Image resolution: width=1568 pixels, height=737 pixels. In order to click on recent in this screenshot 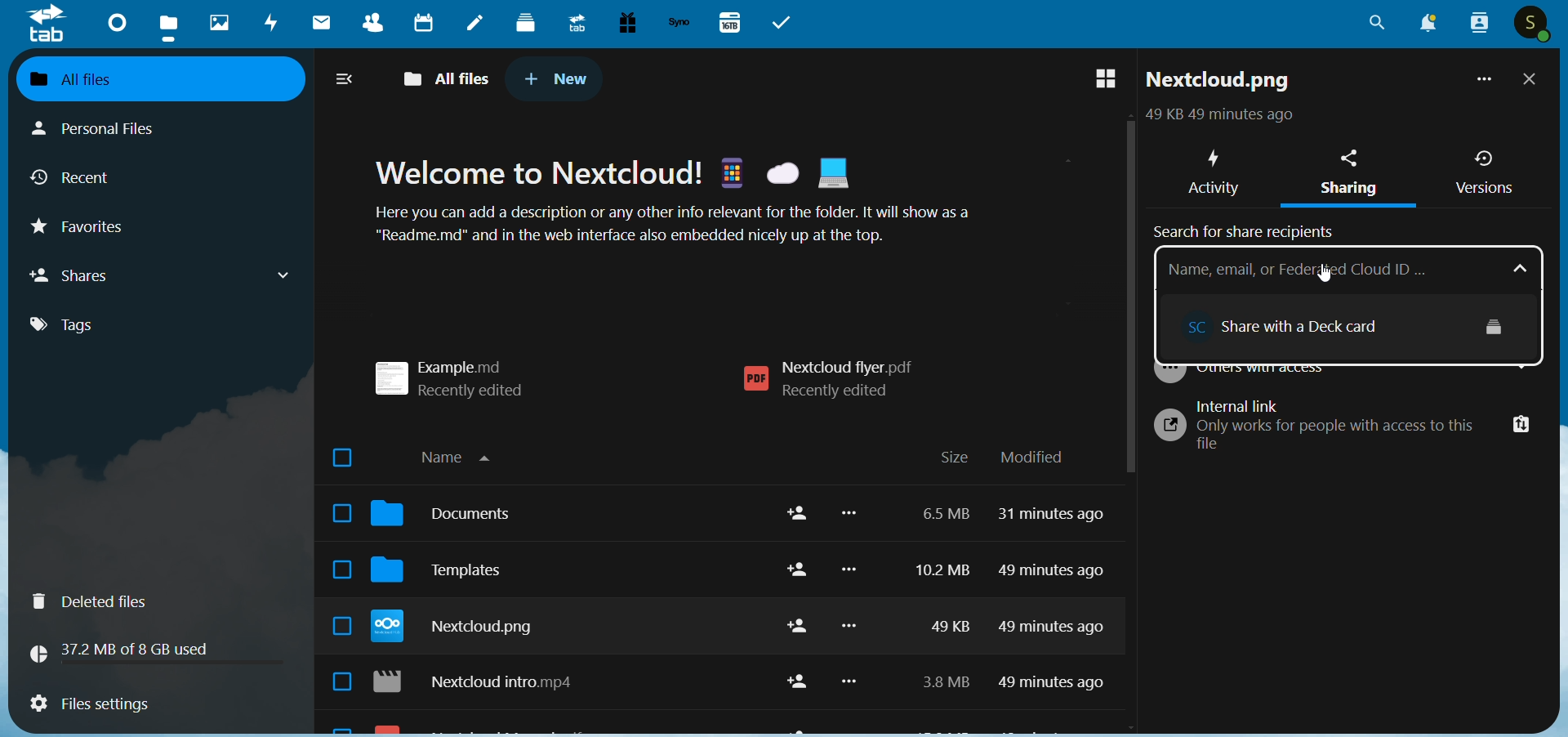, I will do `click(78, 181)`.